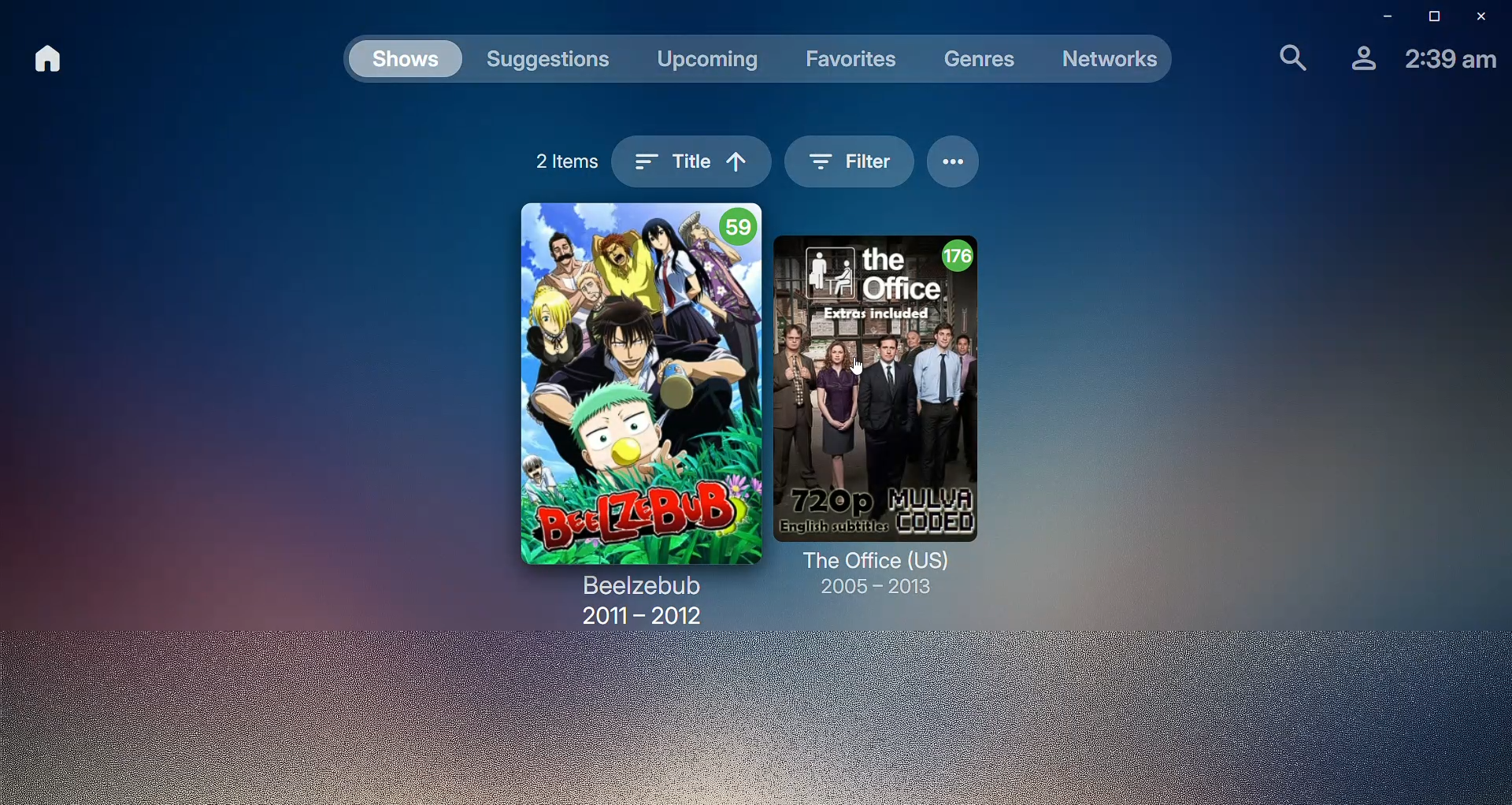  Describe the element at coordinates (711, 60) in the screenshot. I see `Upcoming` at that location.